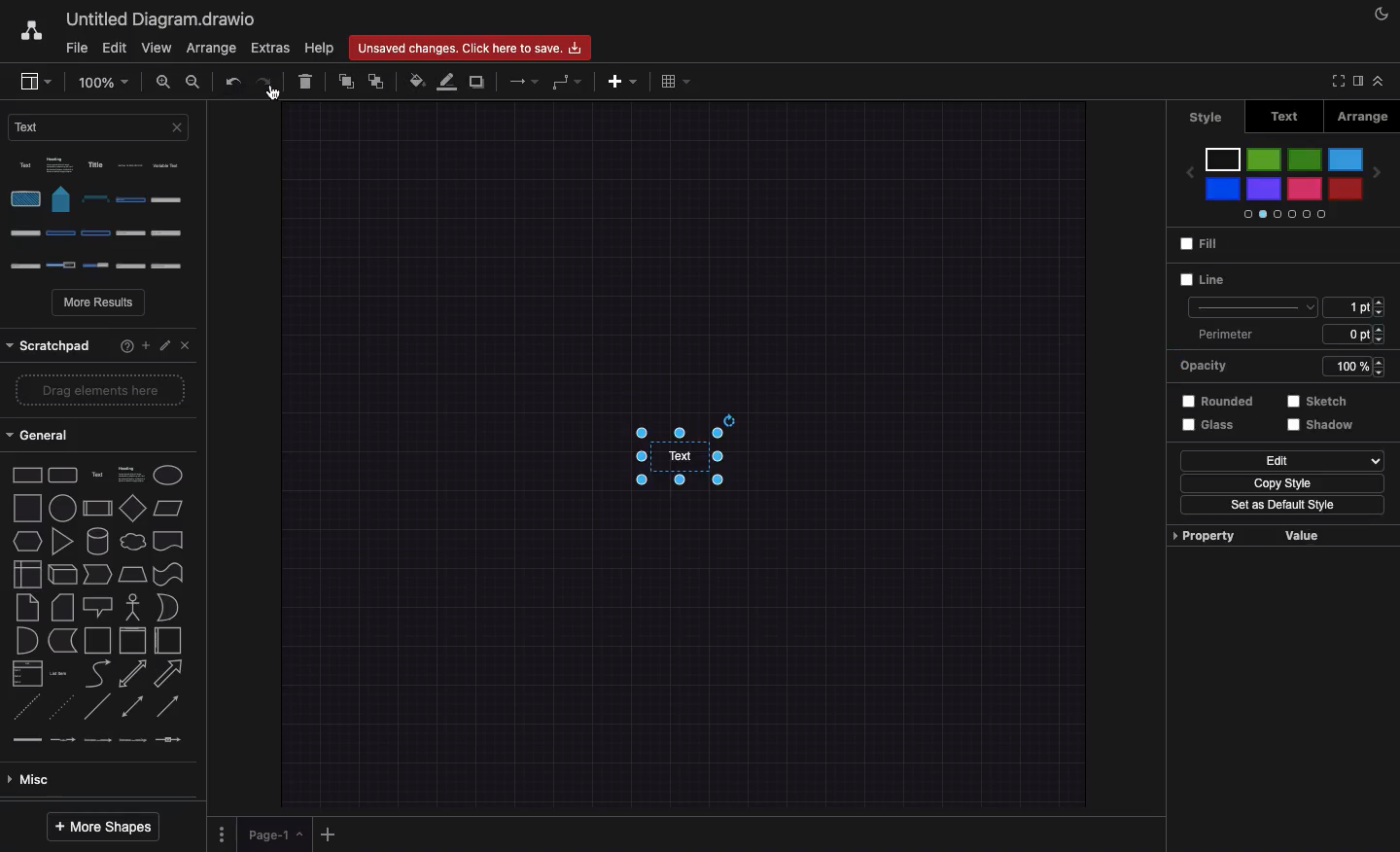 The image size is (1400, 852). What do you see at coordinates (103, 214) in the screenshot?
I see `Text options` at bounding box center [103, 214].